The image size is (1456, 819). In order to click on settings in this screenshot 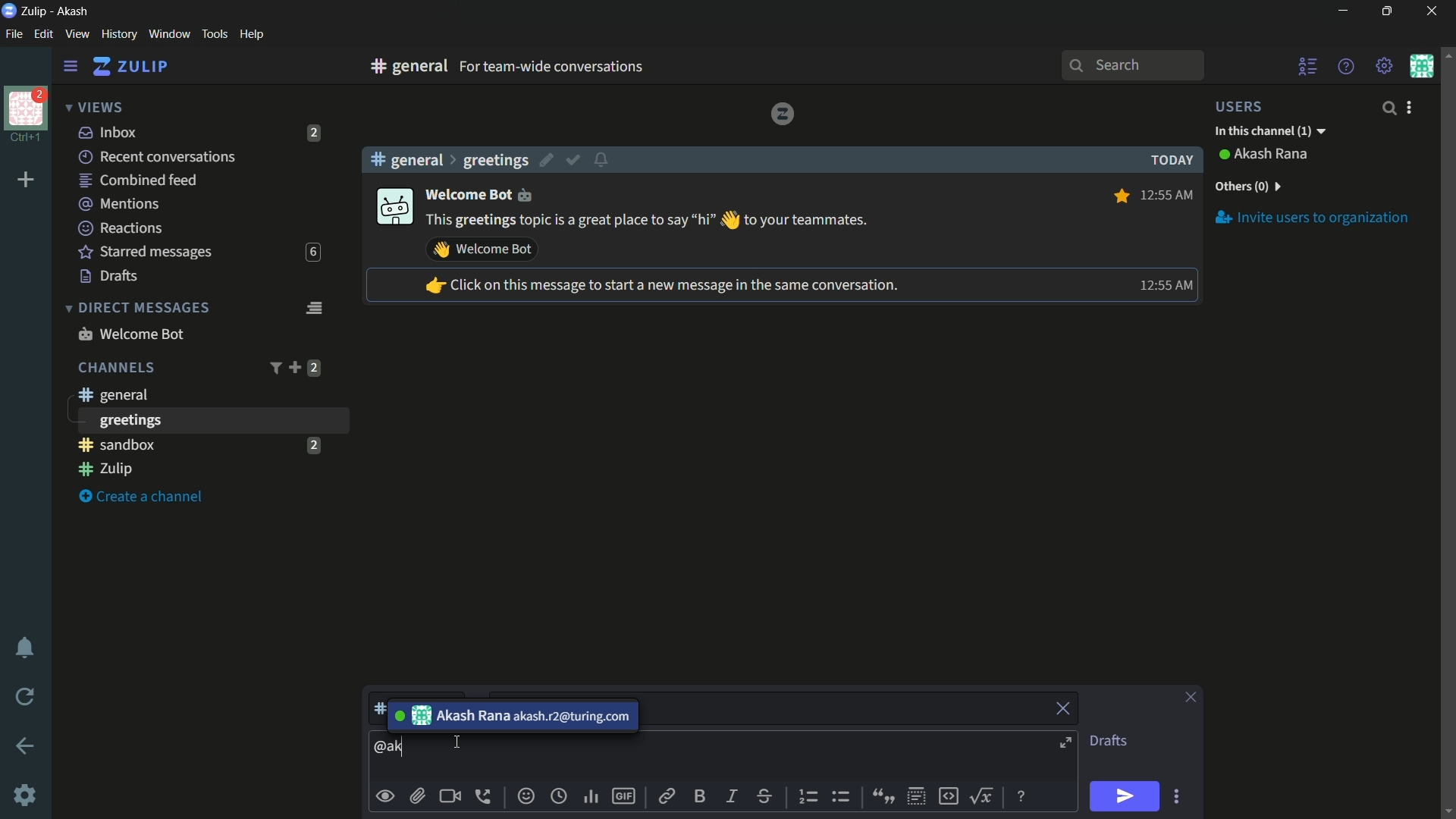, I will do `click(71, 67)`.